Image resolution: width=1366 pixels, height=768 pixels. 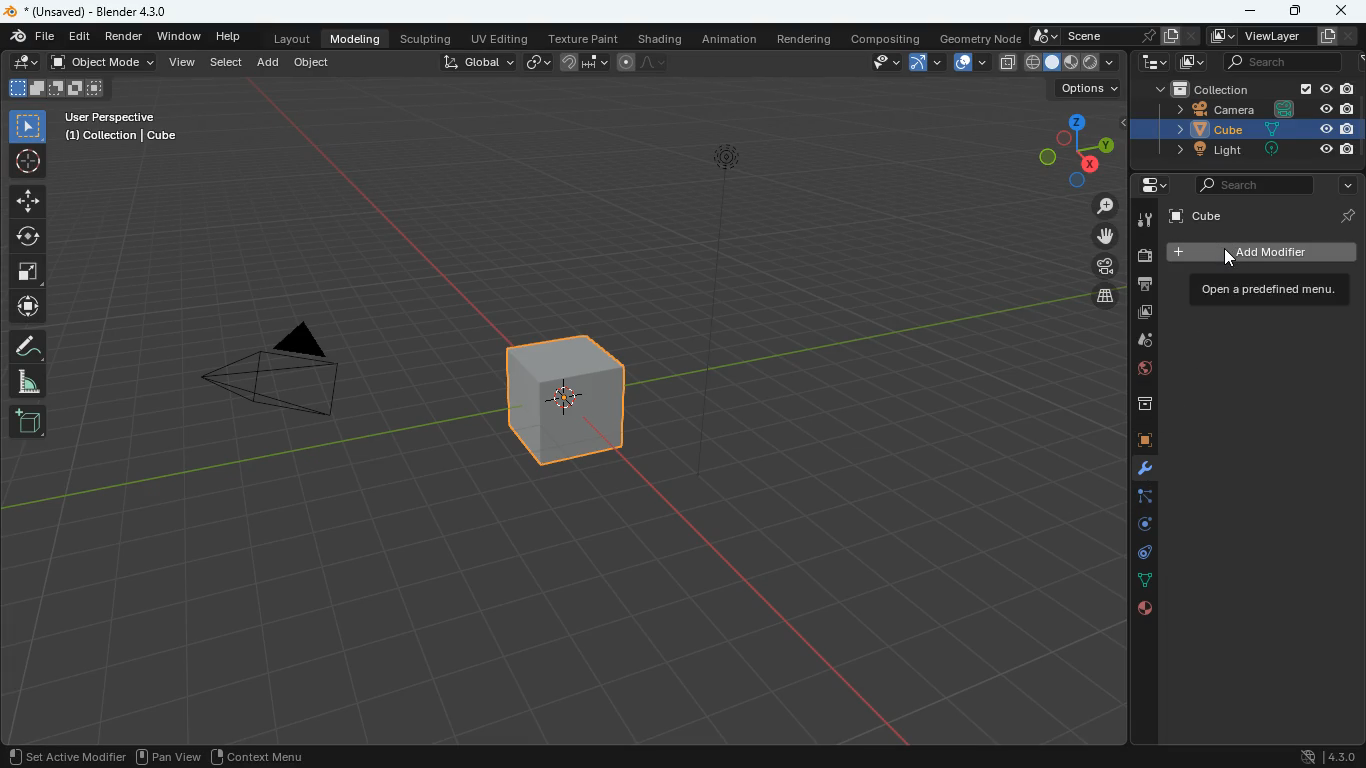 I want to click on more, so click(x=1344, y=186).